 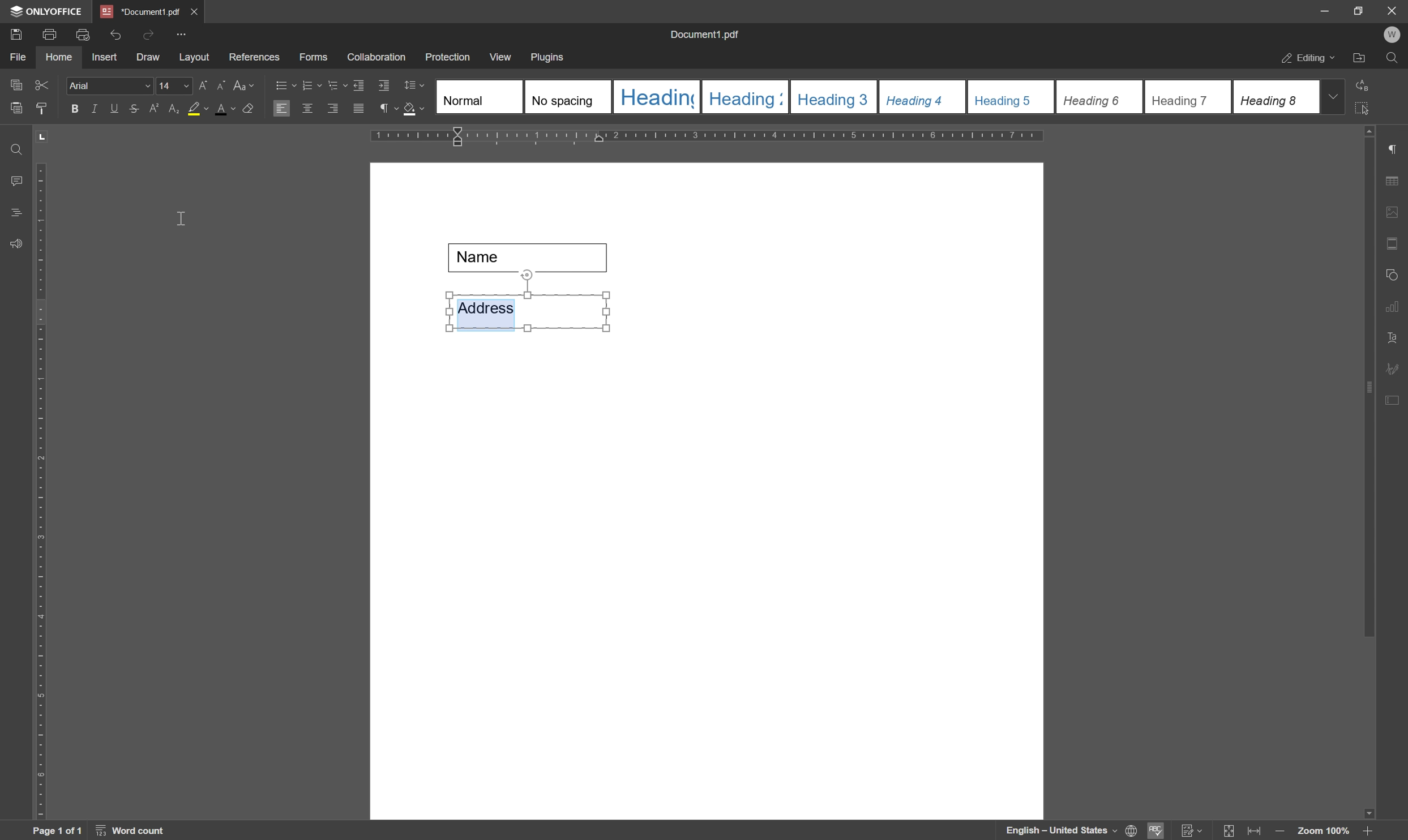 I want to click on cut, so click(x=41, y=84).